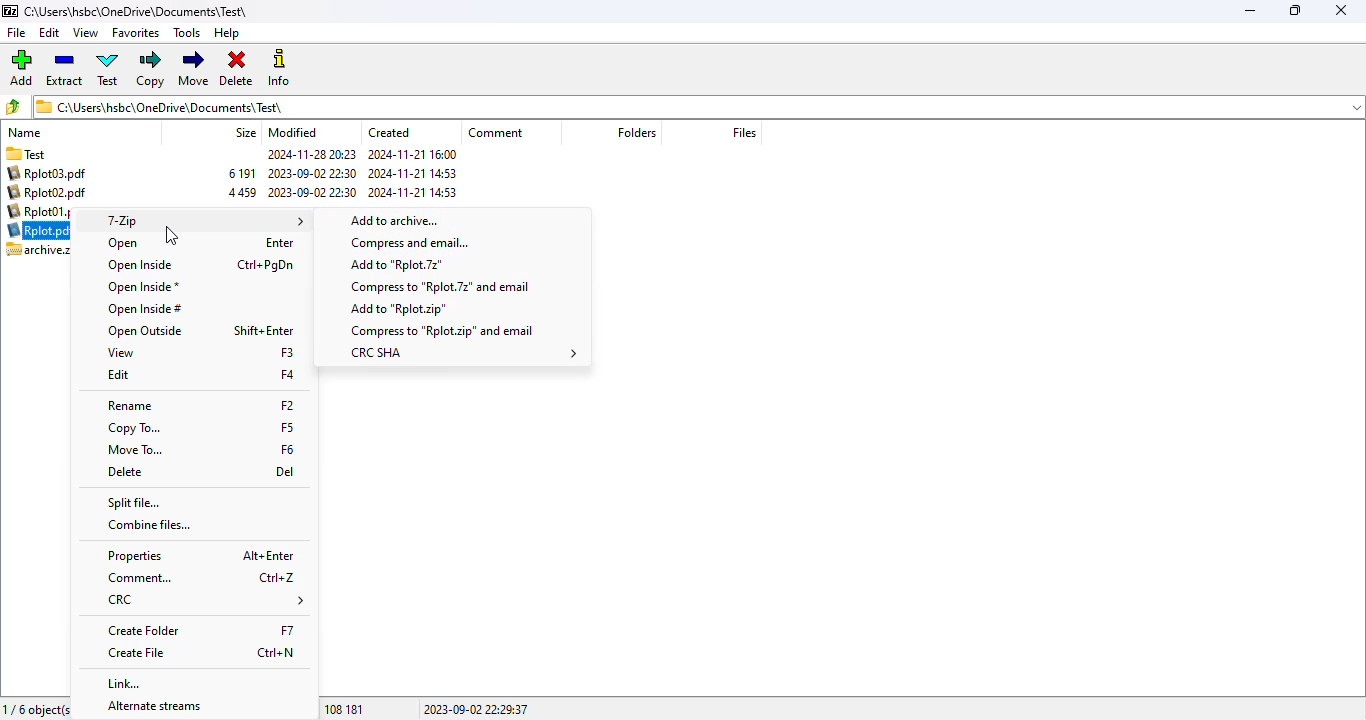  Describe the element at coordinates (440, 286) in the screenshot. I see `compress to .7z file and email` at that location.